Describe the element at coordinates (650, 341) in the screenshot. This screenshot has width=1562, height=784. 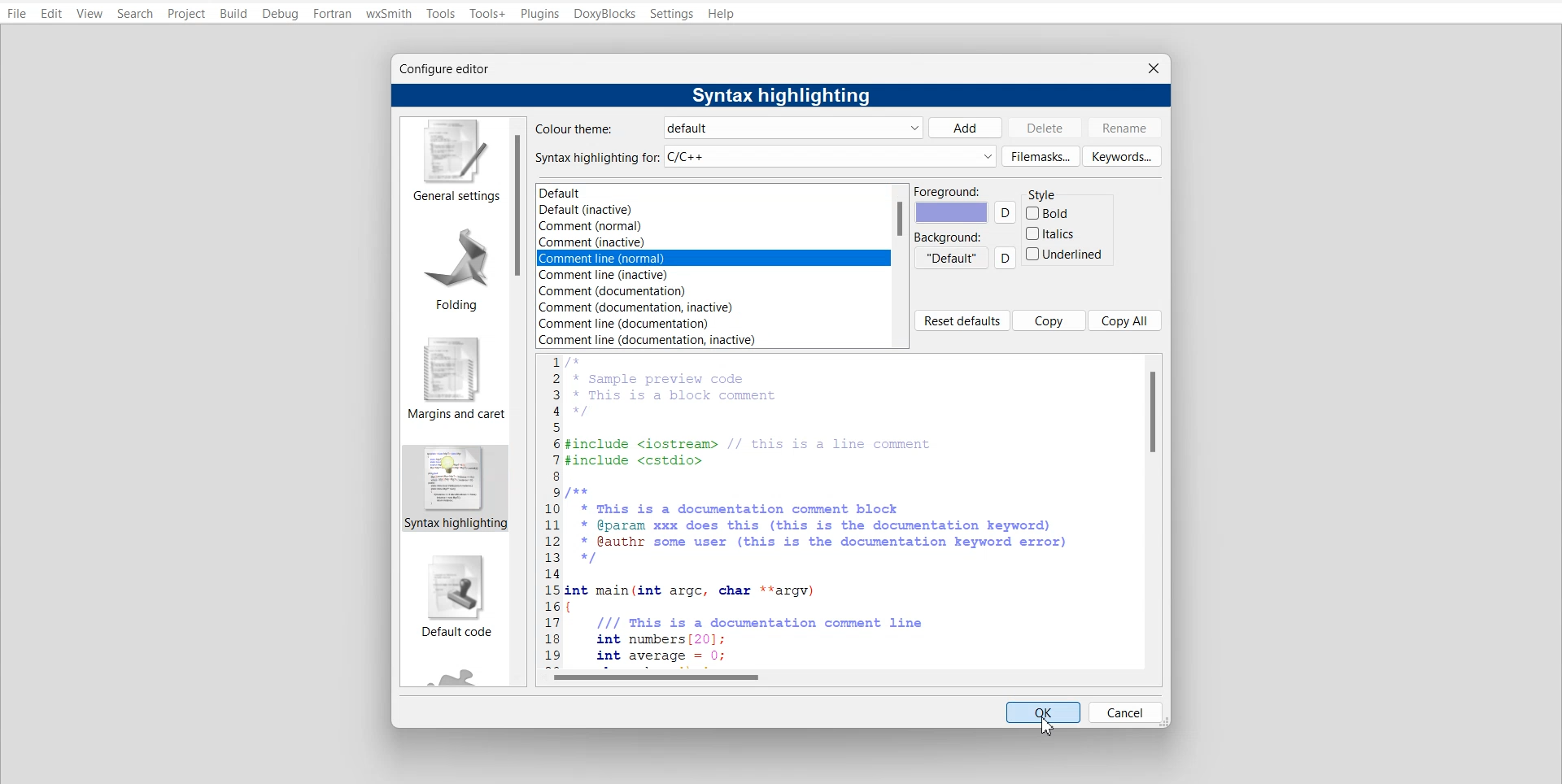
I see `‘Comment line (documentation, inactive)` at that location.